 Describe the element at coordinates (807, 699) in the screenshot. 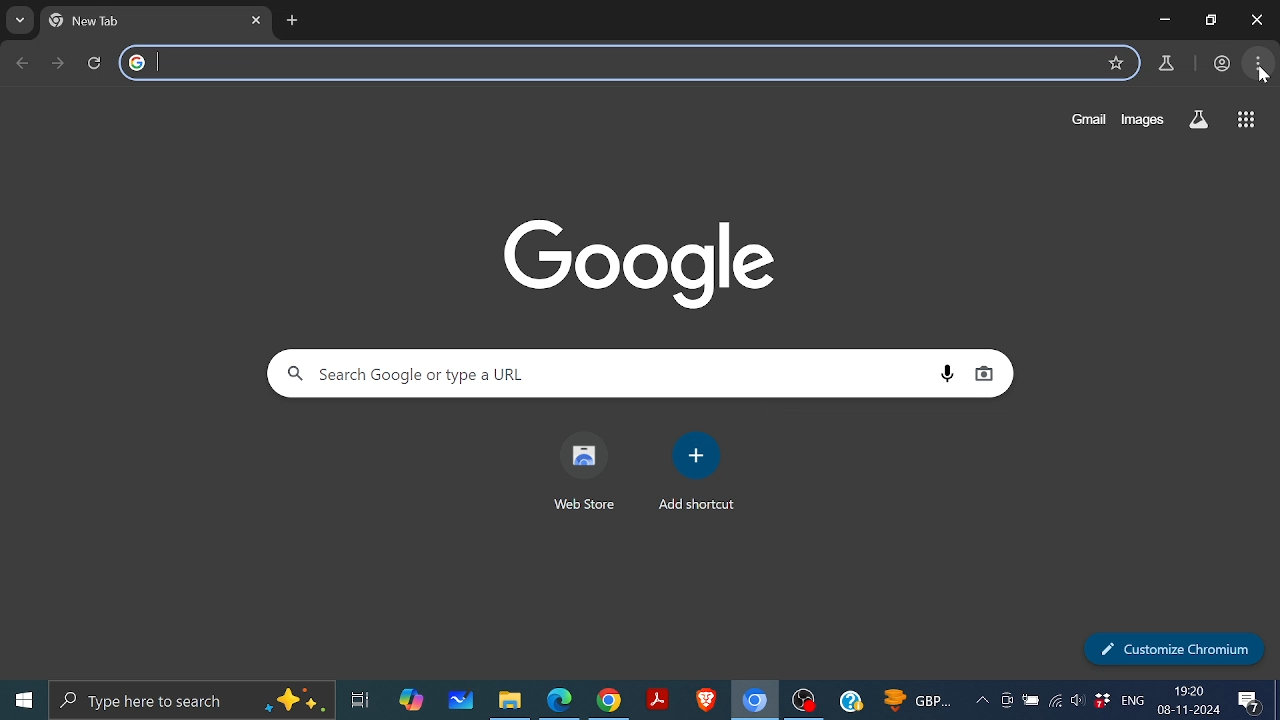

I see `OBS studio` at that location.